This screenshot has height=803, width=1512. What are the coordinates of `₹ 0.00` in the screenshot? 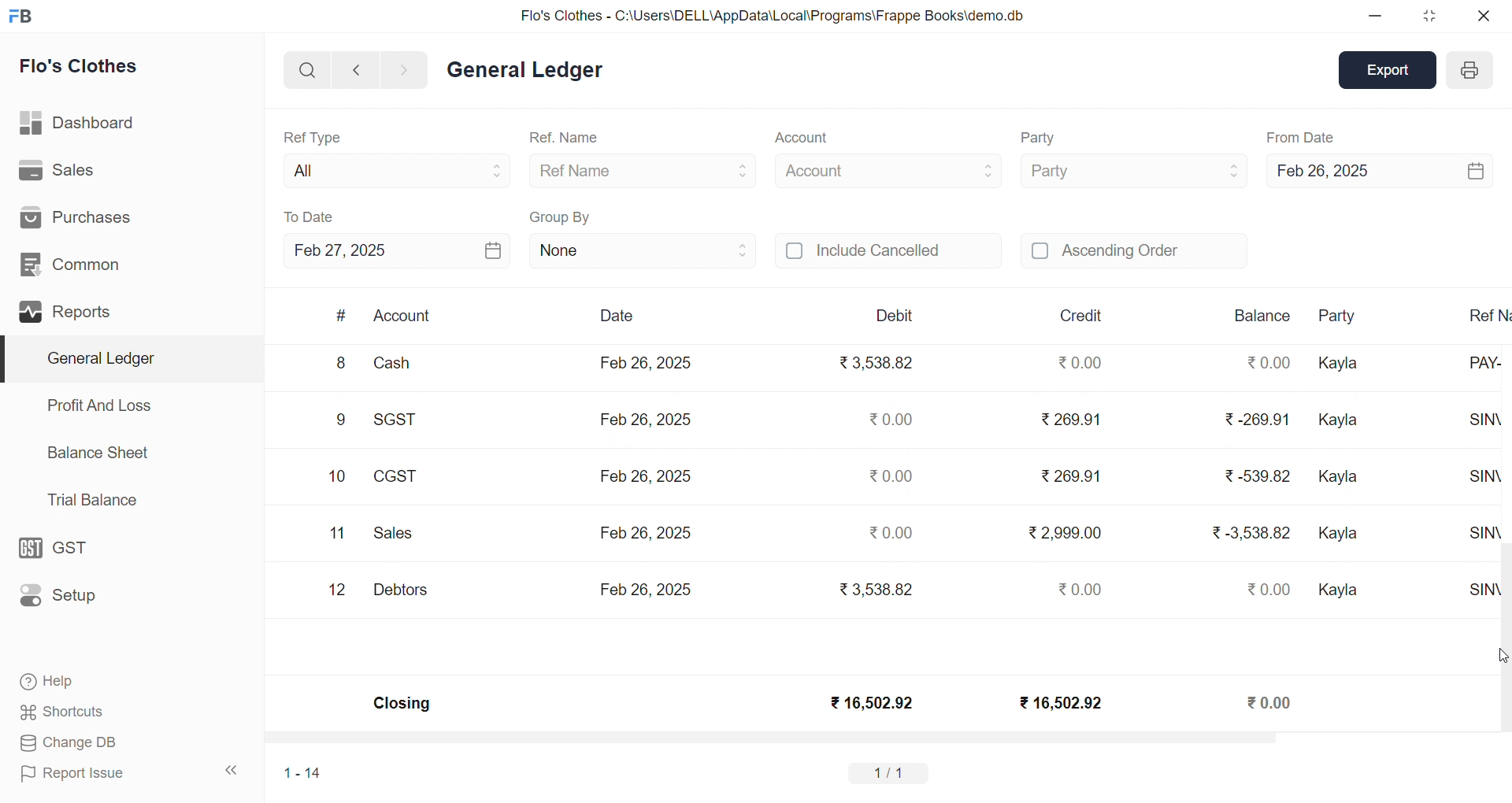 It's located at (1077, 362).